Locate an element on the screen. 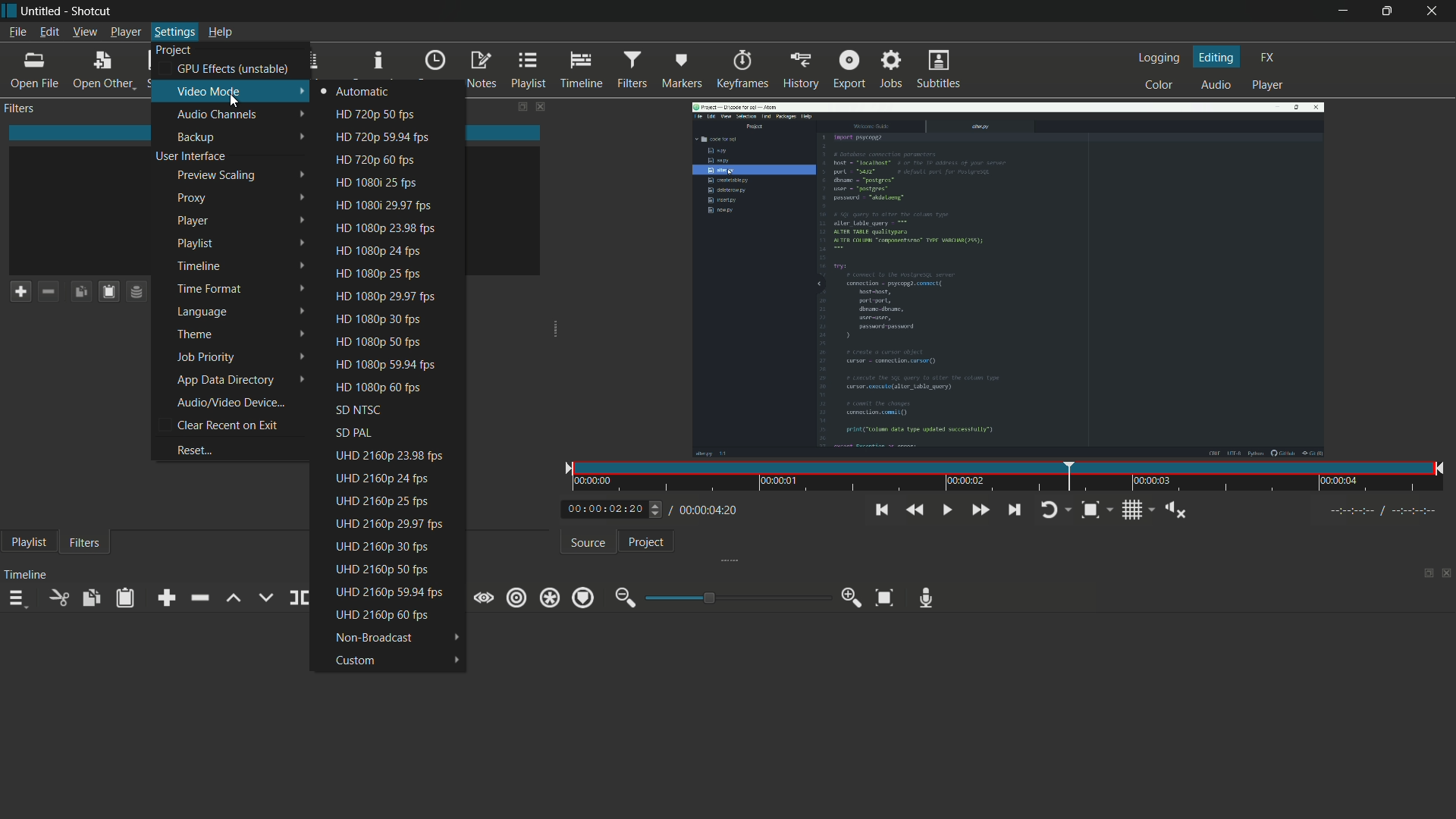  zoom in is located at coordinates (853, 598).